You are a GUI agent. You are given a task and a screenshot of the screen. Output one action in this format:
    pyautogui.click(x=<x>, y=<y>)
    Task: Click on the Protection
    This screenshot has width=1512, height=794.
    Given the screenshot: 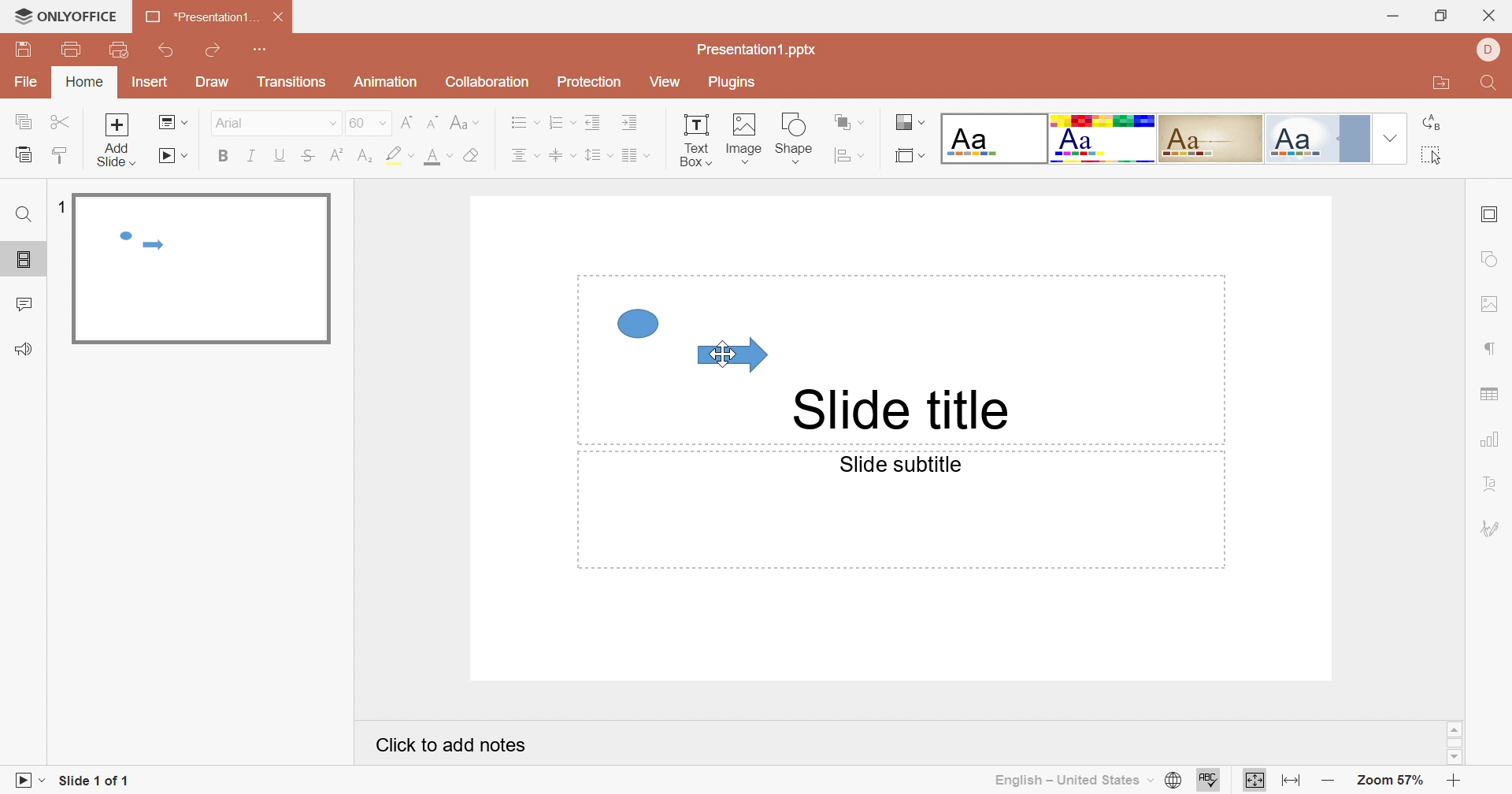 What is the action you would take?
    pyautogui.click(x=591, y=84)
    